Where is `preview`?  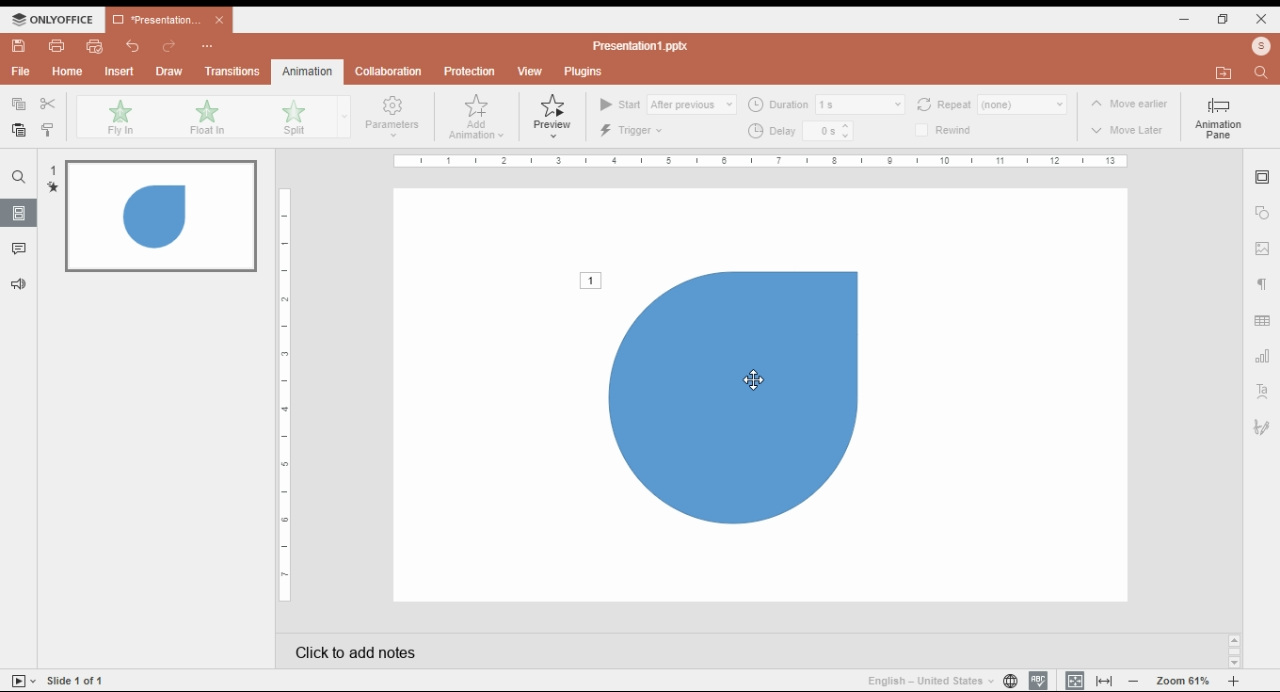 preview is located at coordinates (553, 117).